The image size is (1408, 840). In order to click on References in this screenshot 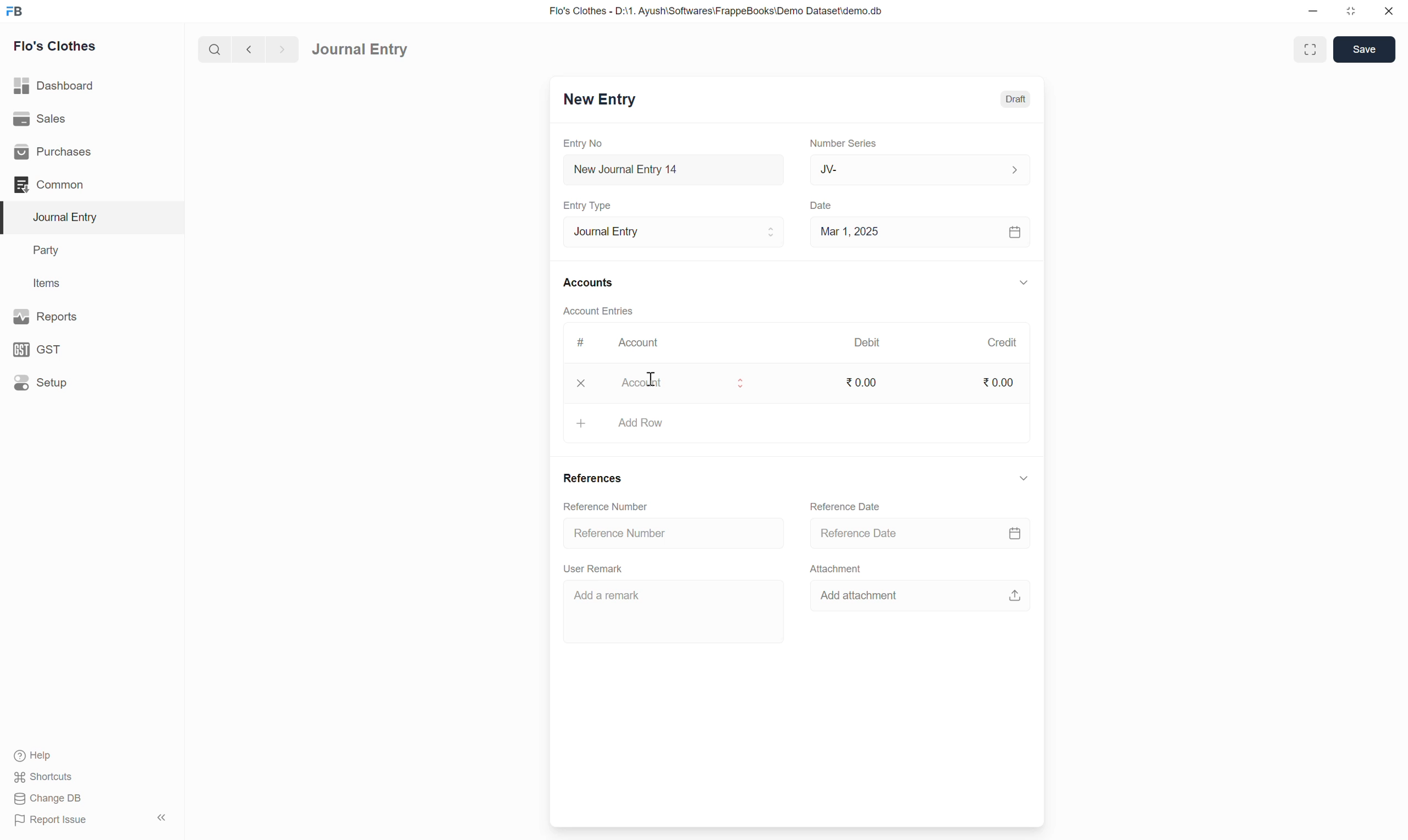, I will do `click(594, 478)`.